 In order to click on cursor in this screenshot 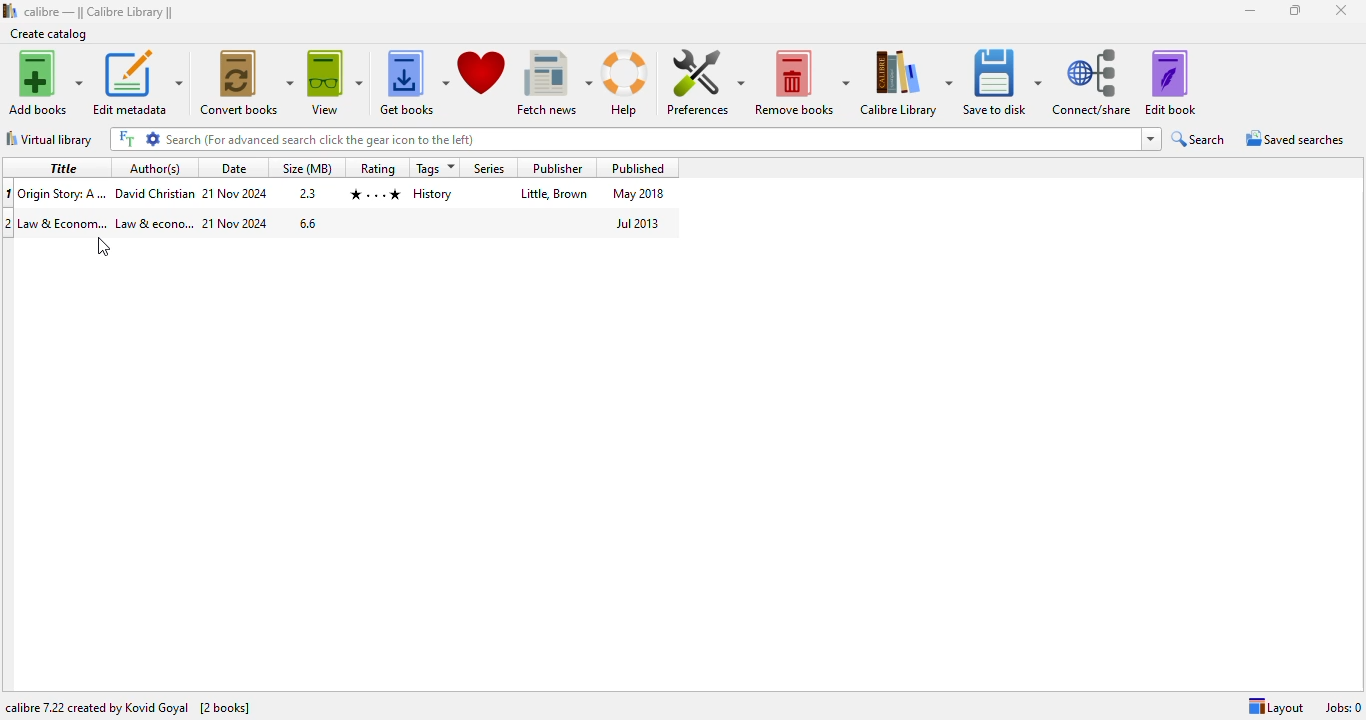, I will do `click(104, 246)`.